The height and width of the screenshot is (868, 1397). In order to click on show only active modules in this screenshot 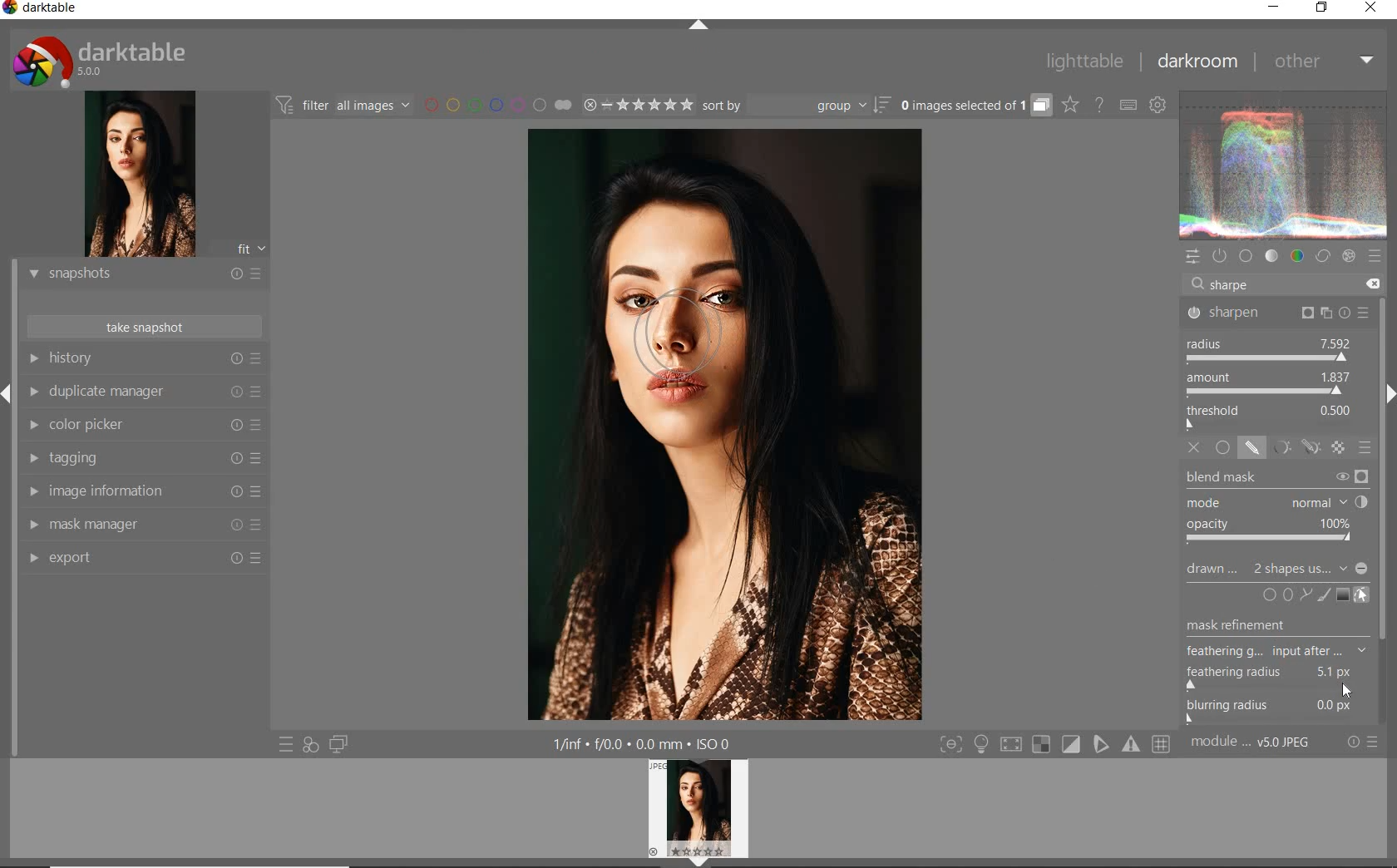, I will do `click(1220, 257)`.